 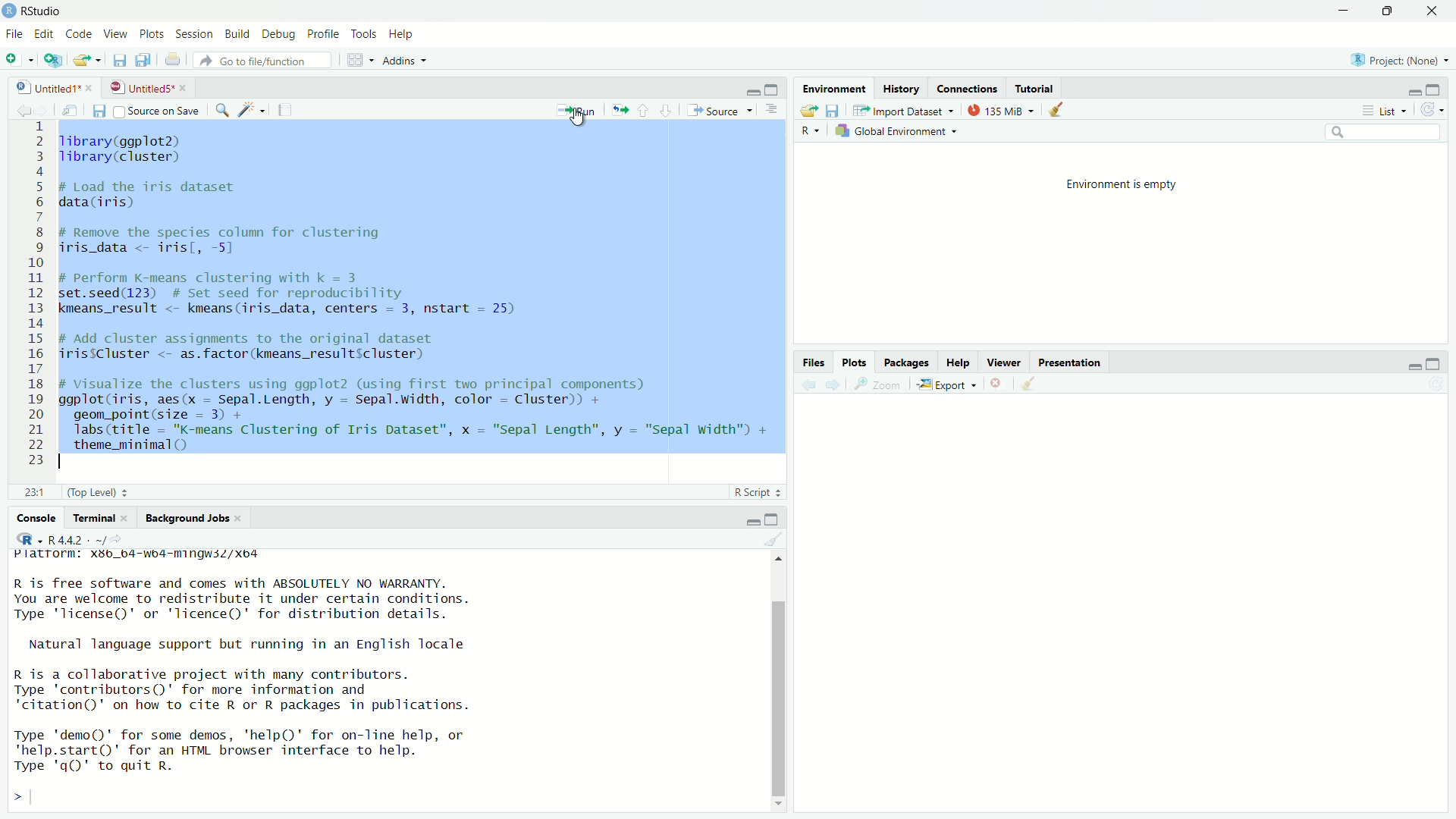 What do you see at coordinates (946, 385) in the screenshot?
I see `export` at bounding box center [946, 385].